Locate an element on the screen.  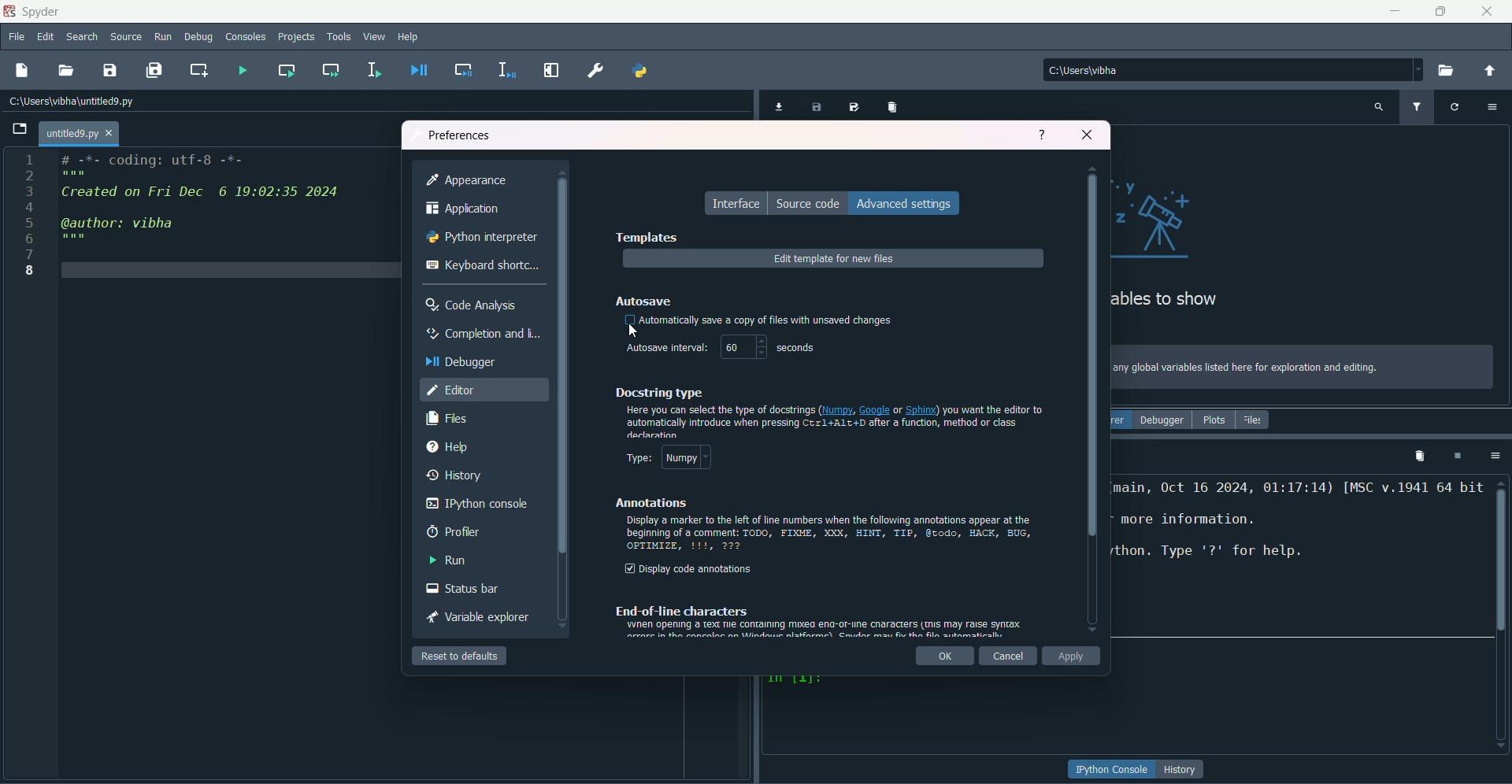
scrollbar is located at coordinates (1502, 556).